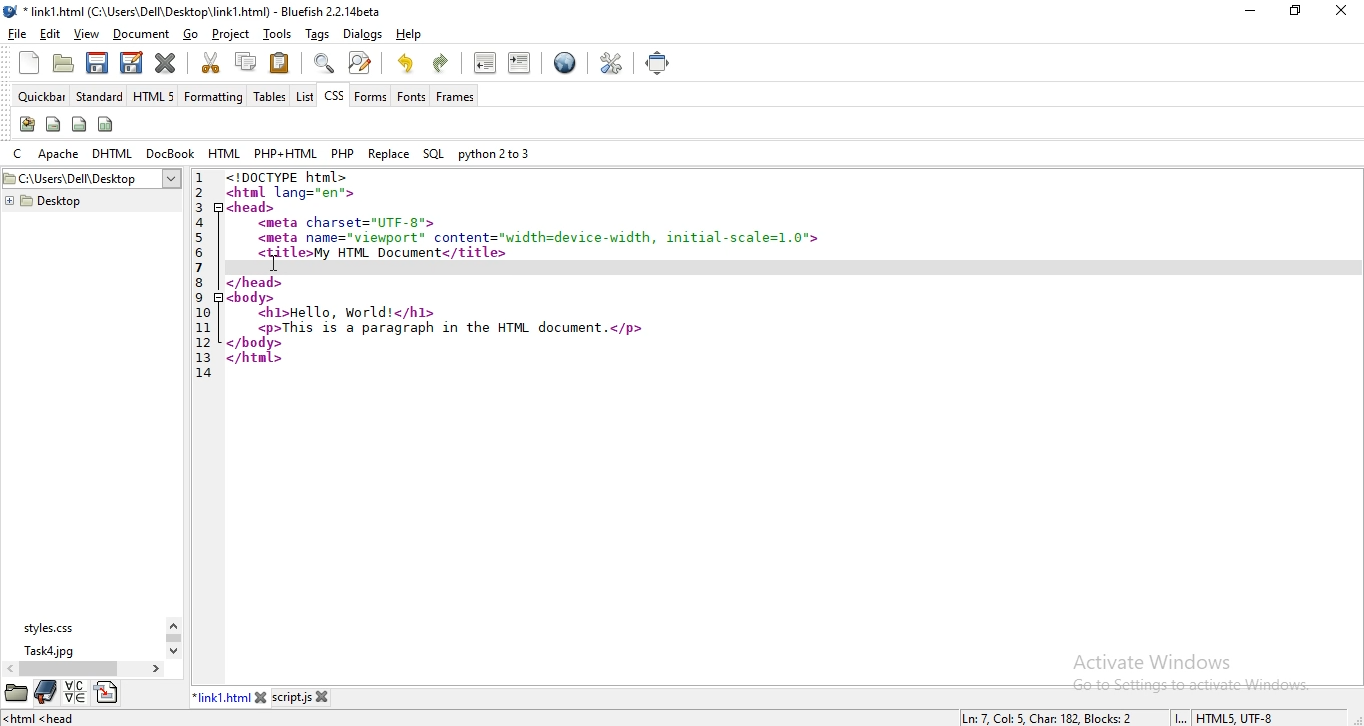 This screenshot has height=726, width=1364. Describe the element at coordinates (454, 96) in the screenshot. I see `frames` at that location.